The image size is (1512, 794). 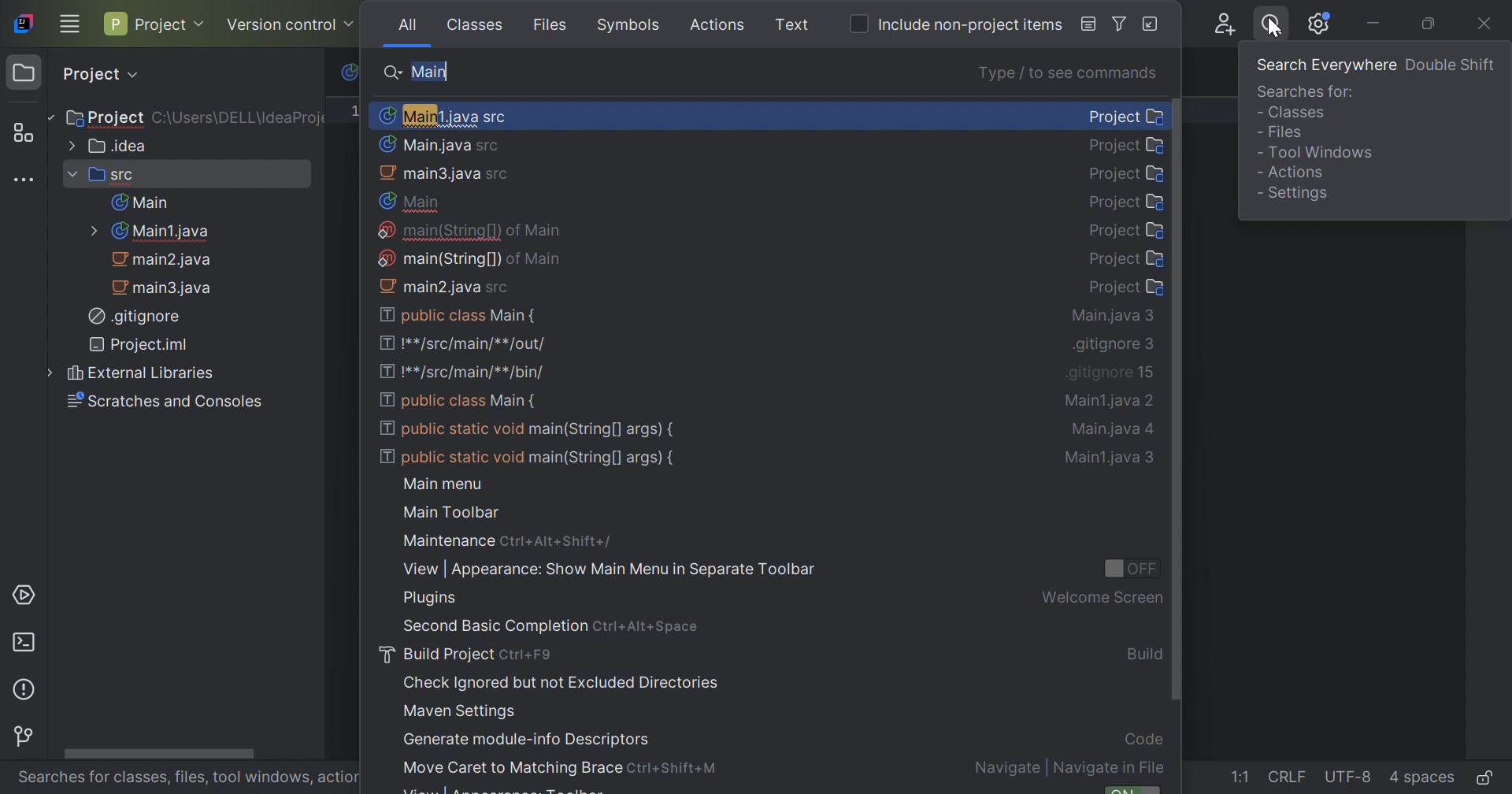 What do you see at coordinates (161, 399) in the screenshot?
I see `Scratches and Consoles` at bounding box center [161, 399].